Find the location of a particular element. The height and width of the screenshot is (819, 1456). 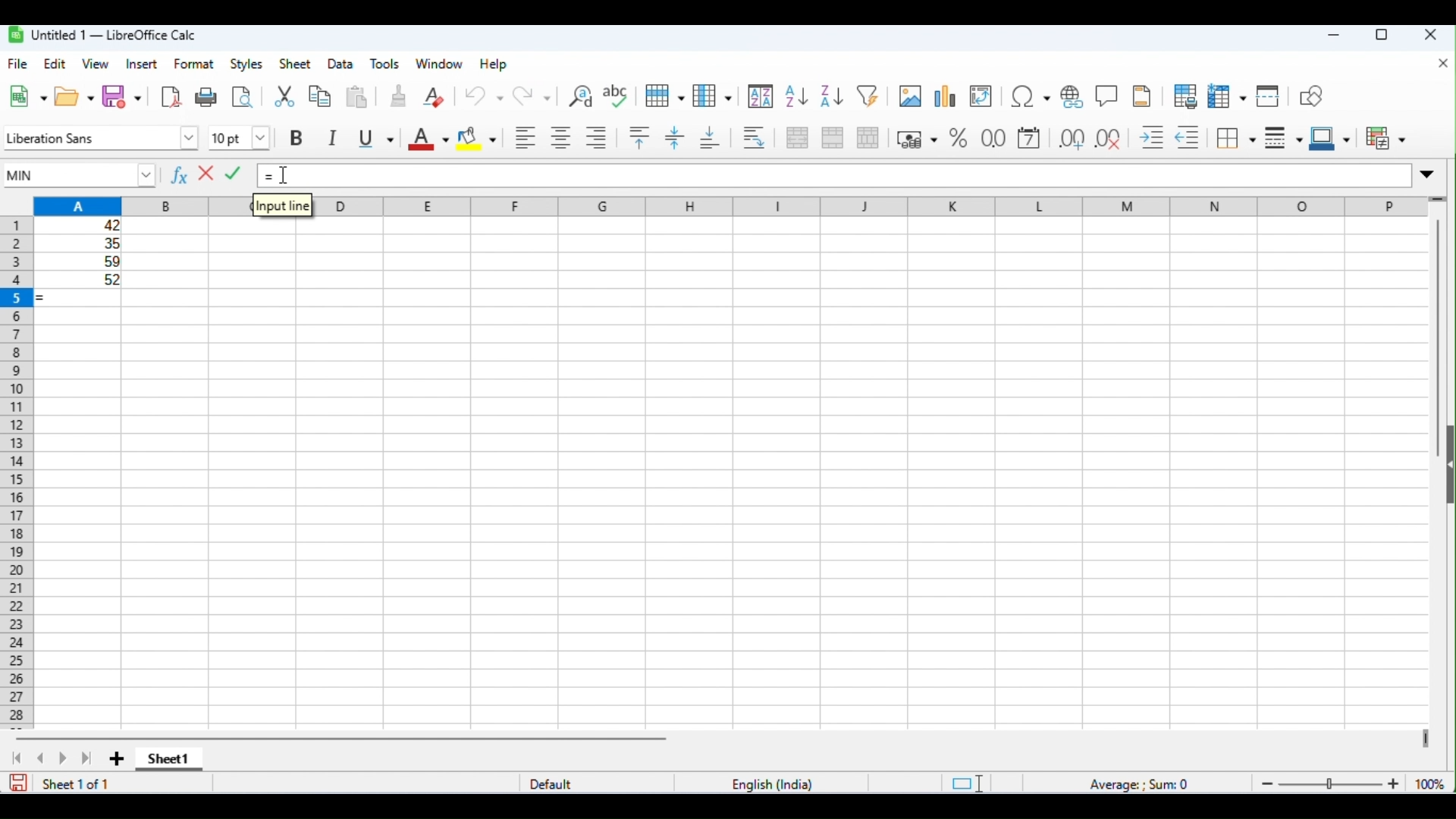

delete decimal place is located at coordinates (1109, 137).